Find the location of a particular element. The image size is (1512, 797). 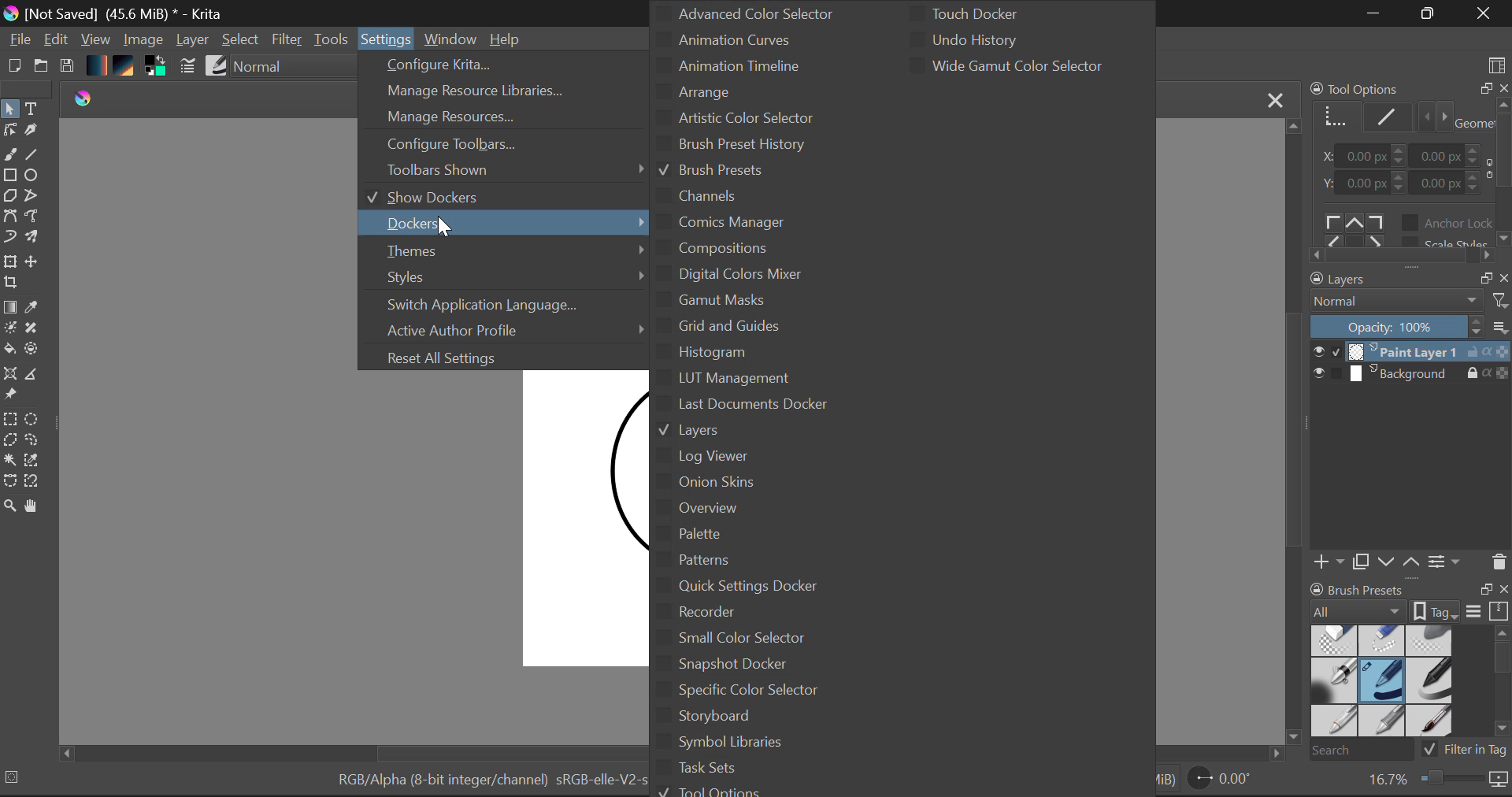

Color Information is located at coordinates (487, 783).